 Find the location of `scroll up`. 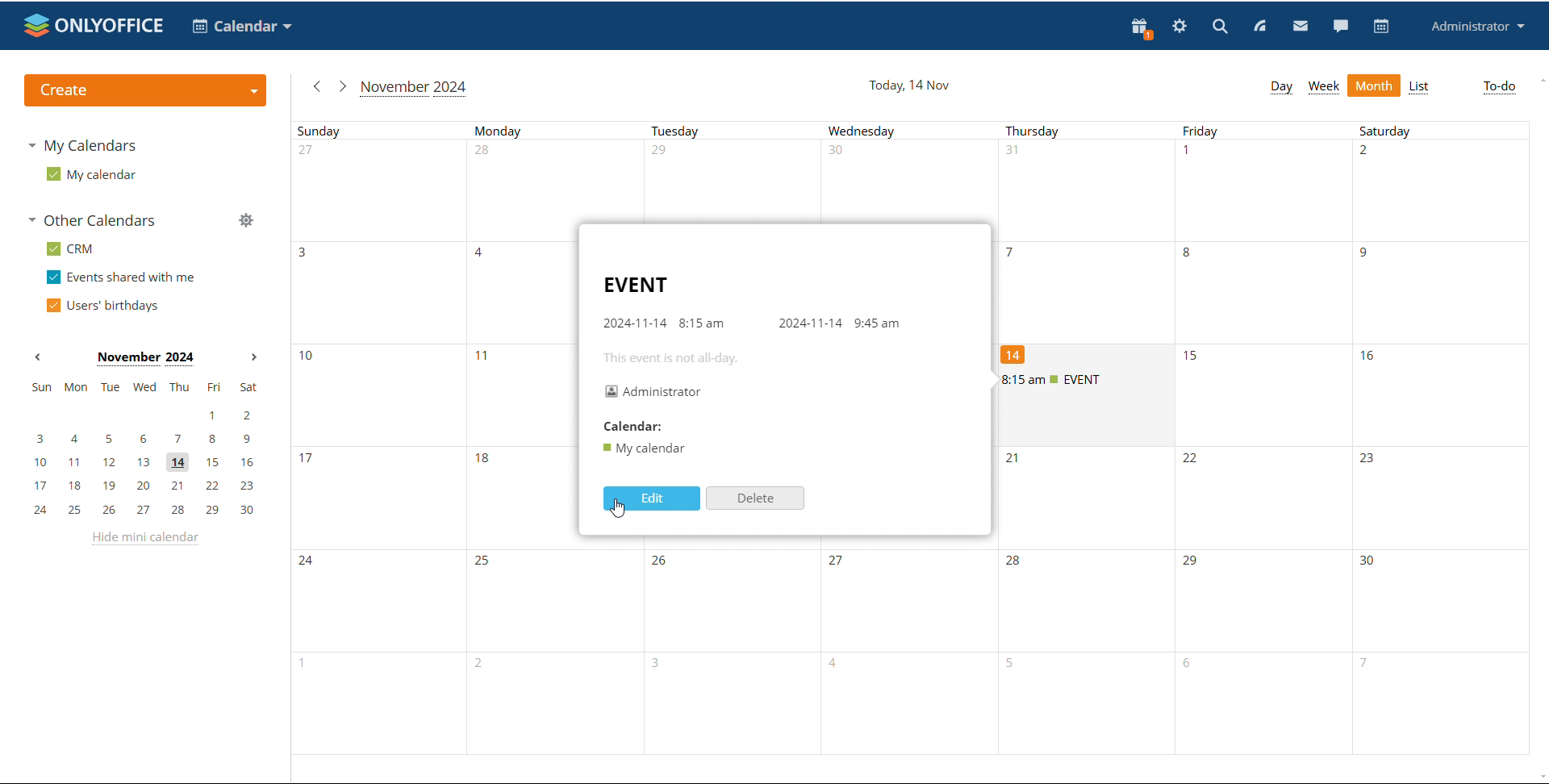

scroll up is located at coordinates (1539, 81).